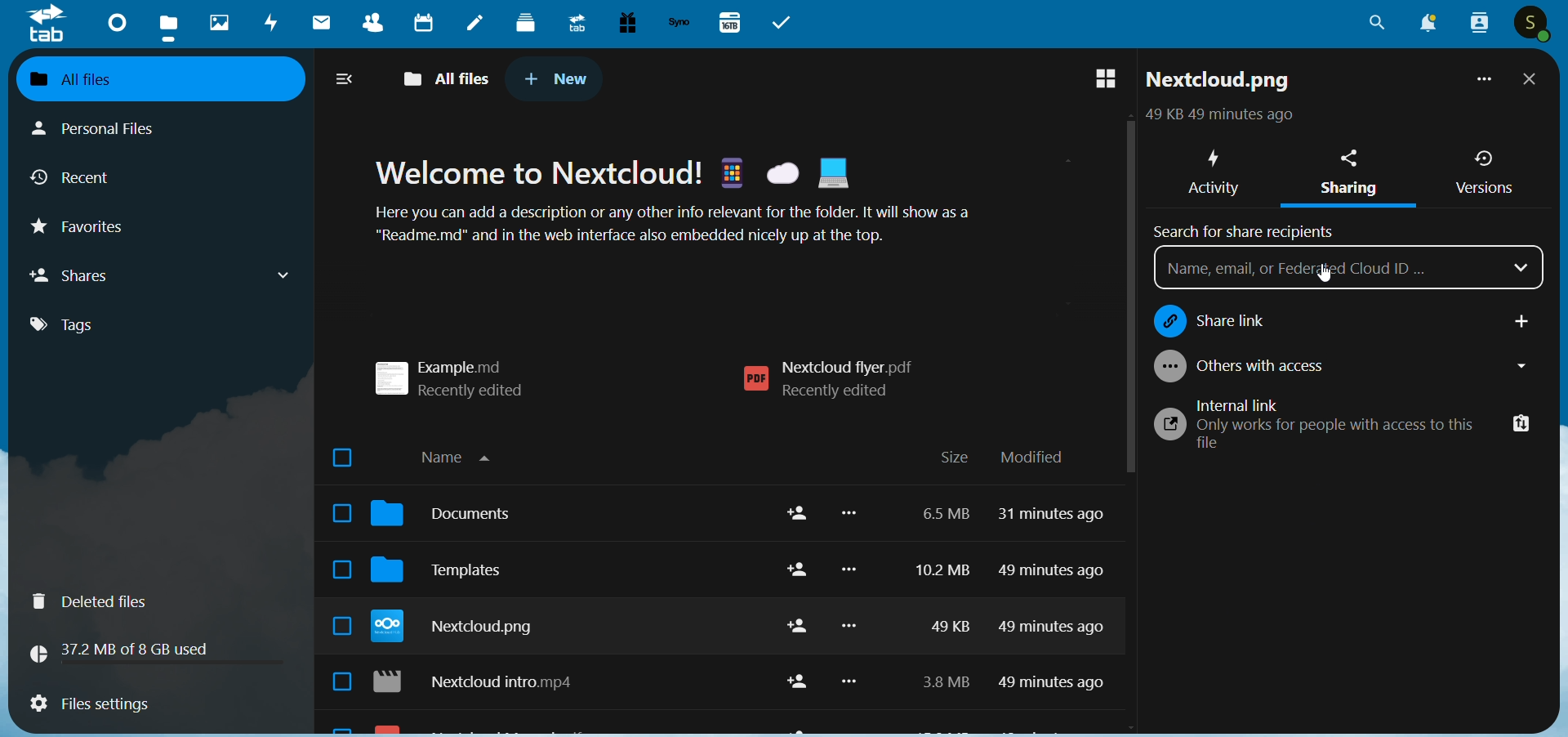  What do you see at coordinates (483, 685) in the screenshot?
I see `nextcloud intro ` at bounding box center [483, 685].